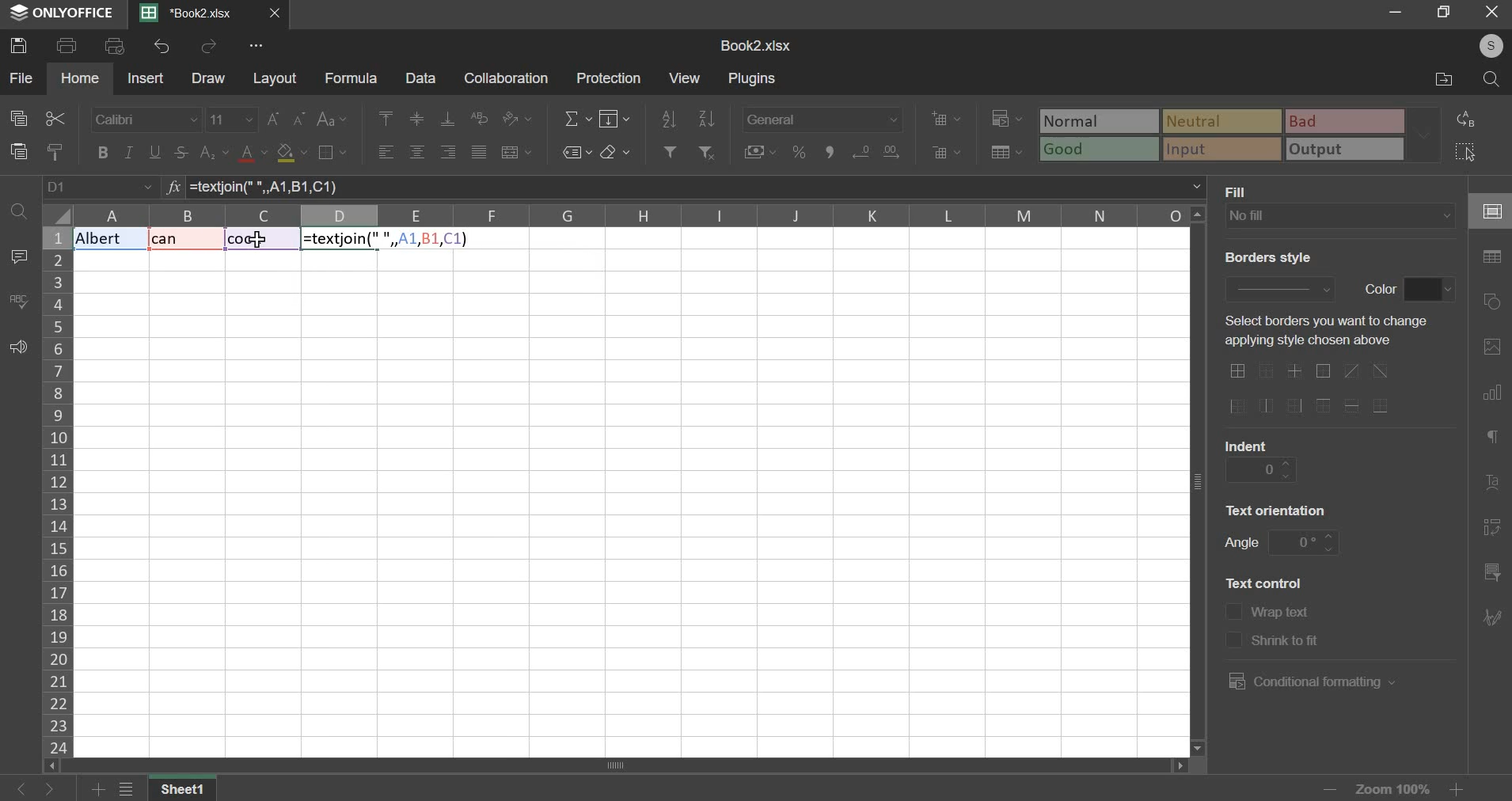 This screenshot has width=1512, height=801. I want to click on justified, so click(478, 151).